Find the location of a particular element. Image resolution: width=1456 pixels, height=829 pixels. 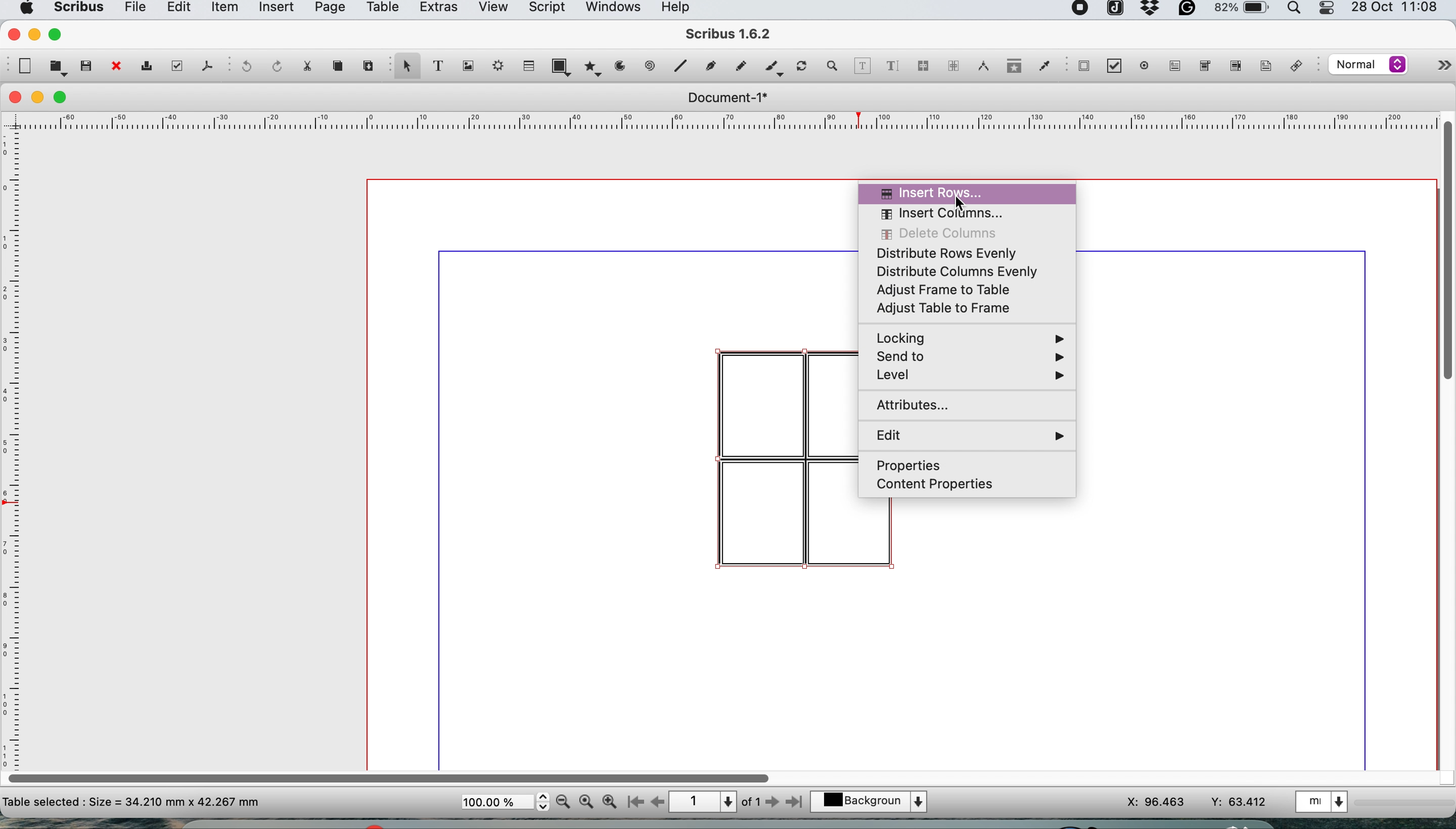

grammarly is located at coordinates (1189, 11).